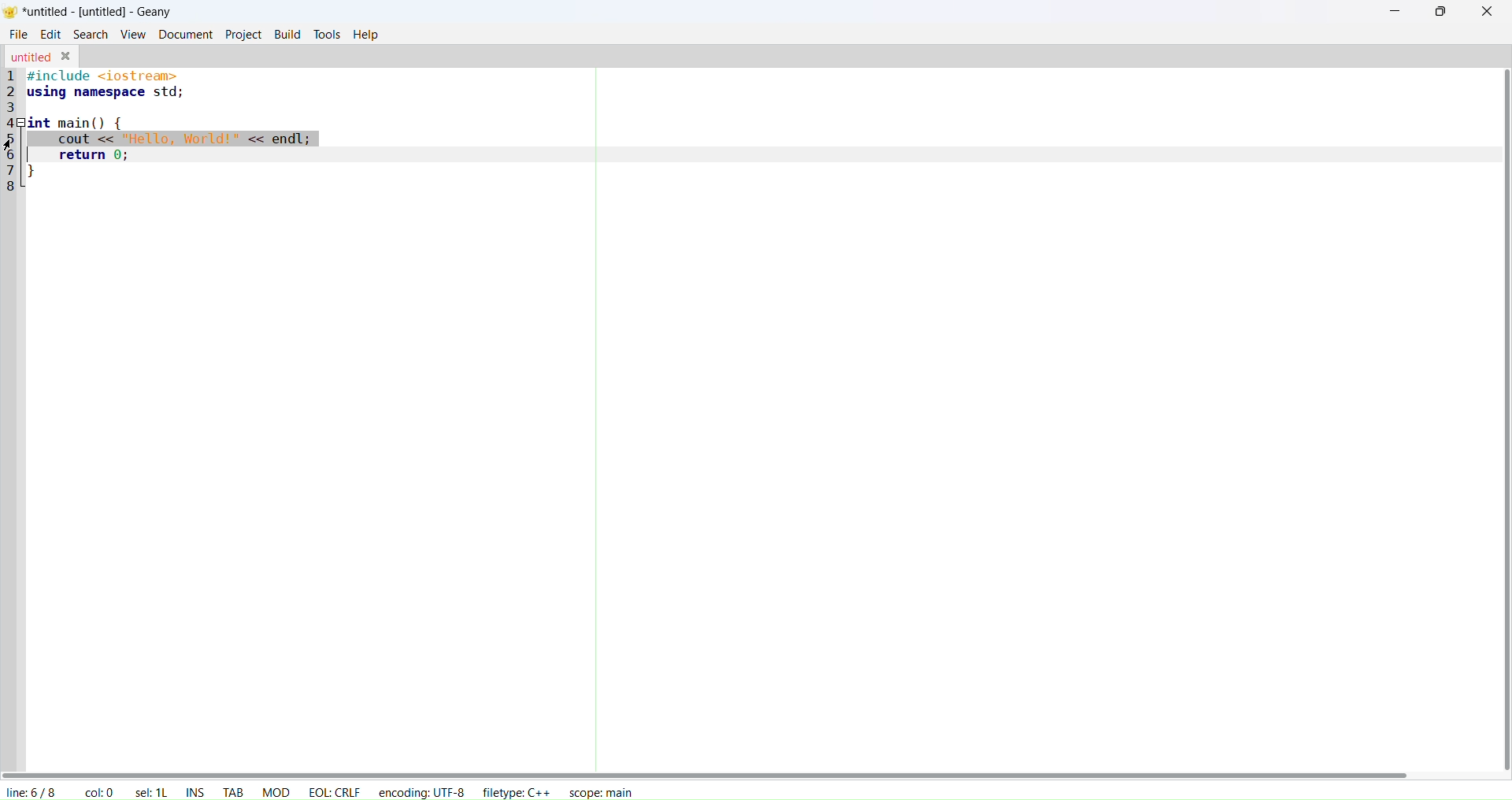 The height and width of the screenshot is (800, 1512). What do you see at coordinates (421, 793) in the screenshot?
I see `encoding: UTF-8` at bounding box center [421, 793].